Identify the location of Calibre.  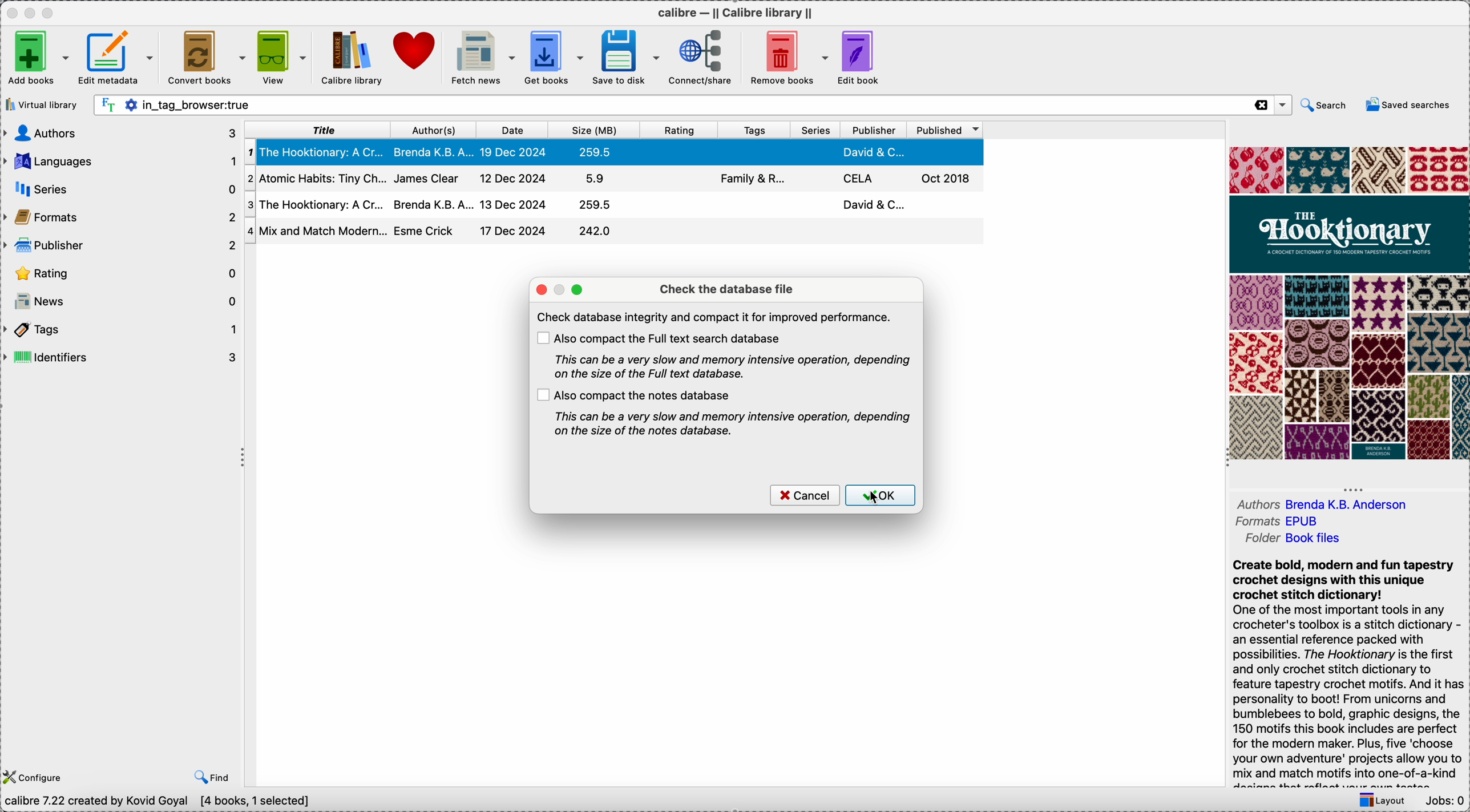
(738, 11).